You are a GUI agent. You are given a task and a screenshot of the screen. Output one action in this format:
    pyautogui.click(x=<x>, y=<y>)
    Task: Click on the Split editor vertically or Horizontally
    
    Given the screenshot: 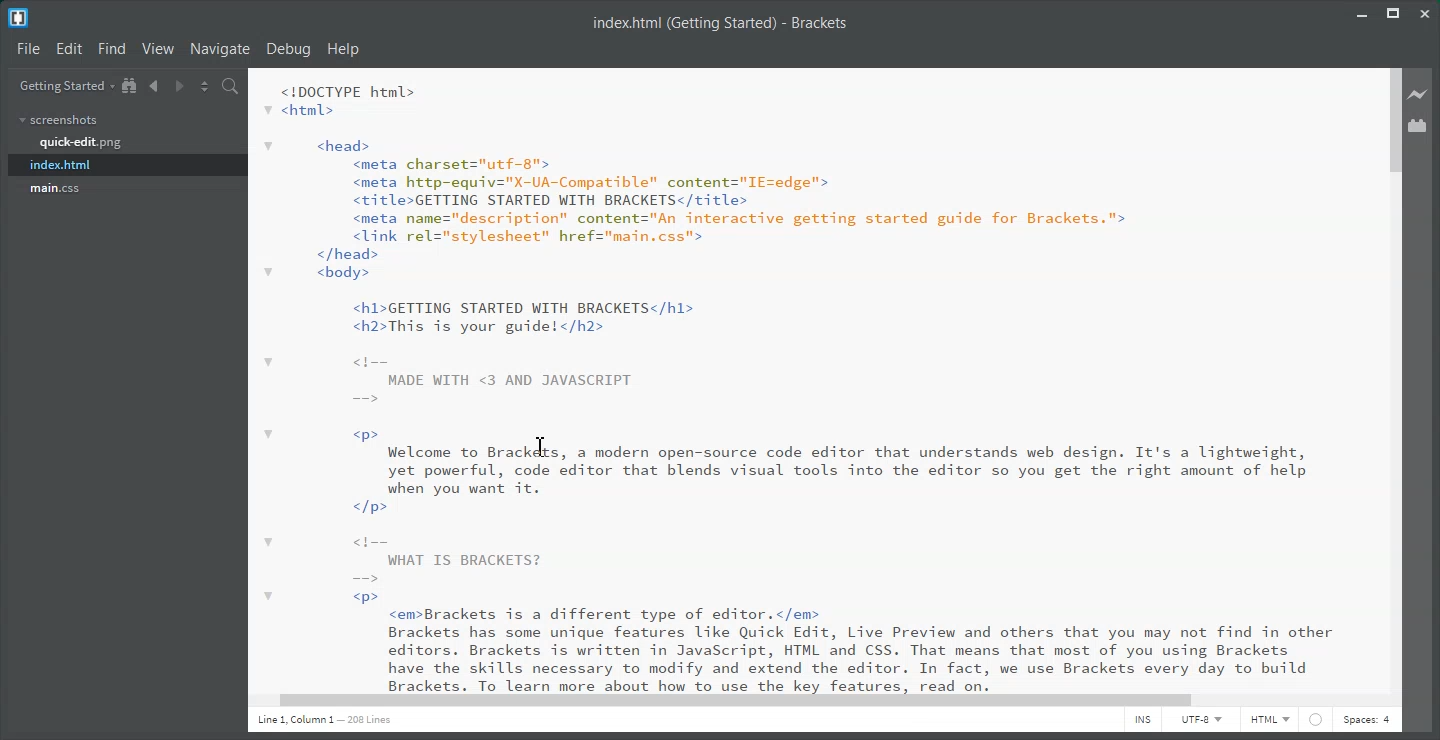 What is the action you would take?
    pyautogui.click(x=203, y=86)
    